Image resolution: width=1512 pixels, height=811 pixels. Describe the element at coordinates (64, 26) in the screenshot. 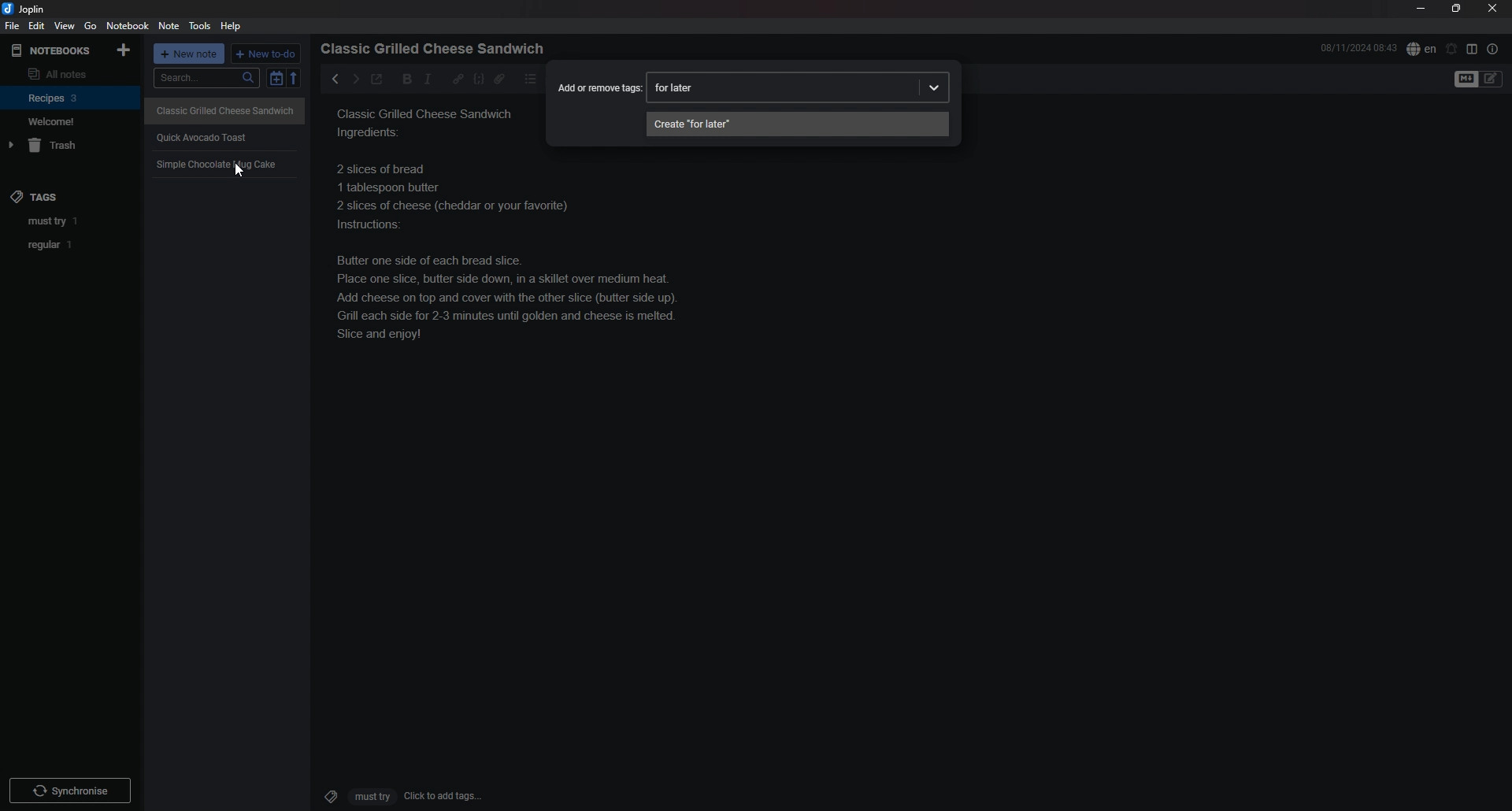

I see `view` at that location.